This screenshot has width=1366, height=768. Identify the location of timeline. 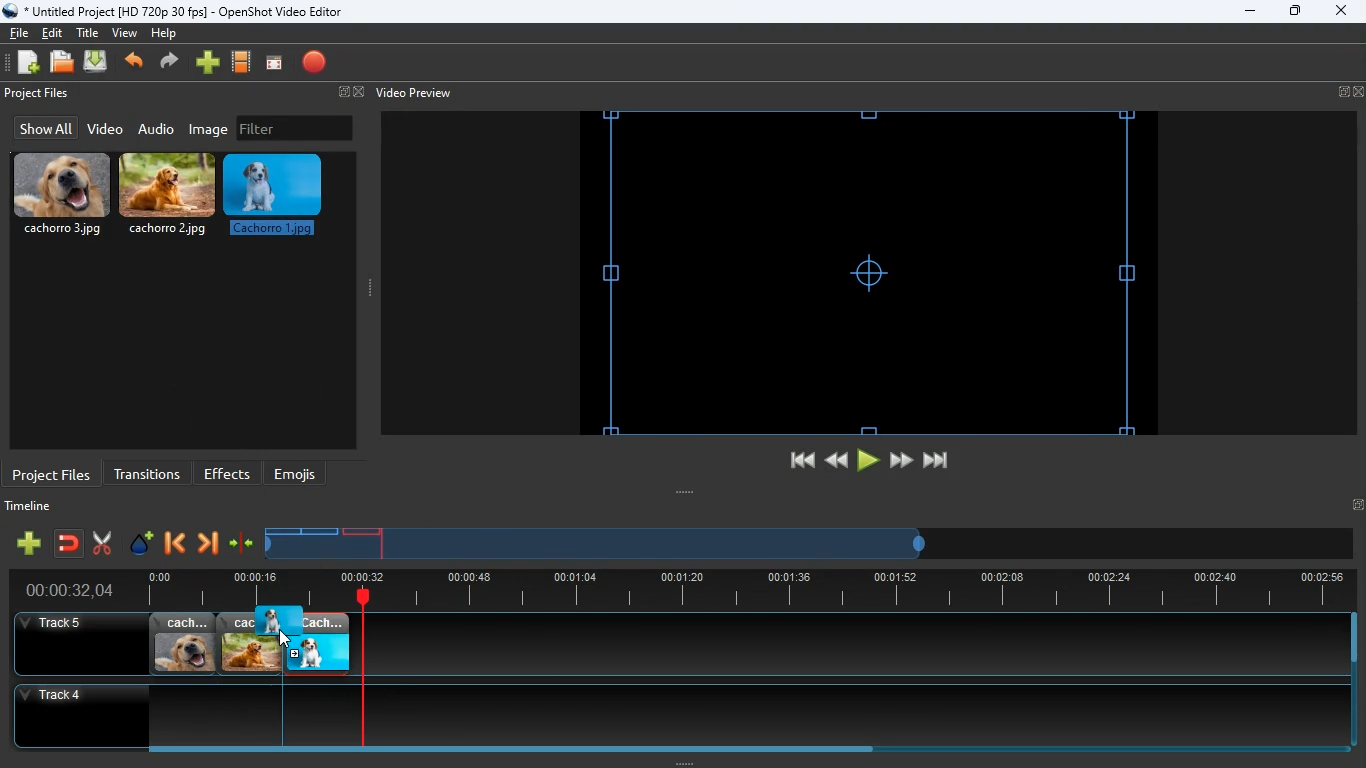
(740, 590).